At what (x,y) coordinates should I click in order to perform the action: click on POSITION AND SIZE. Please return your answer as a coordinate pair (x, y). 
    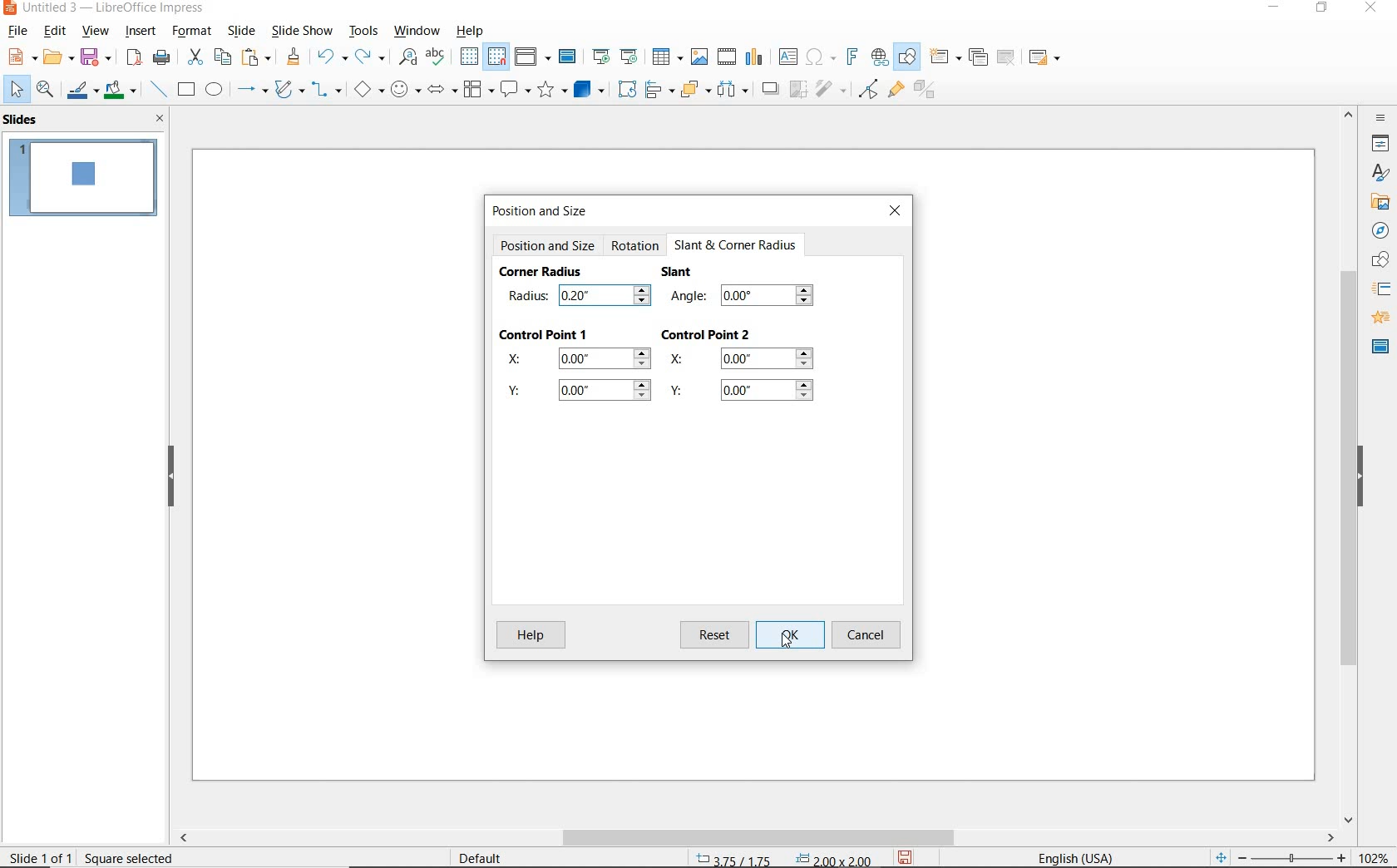
    Looking at the image, I should click on (548, 247).